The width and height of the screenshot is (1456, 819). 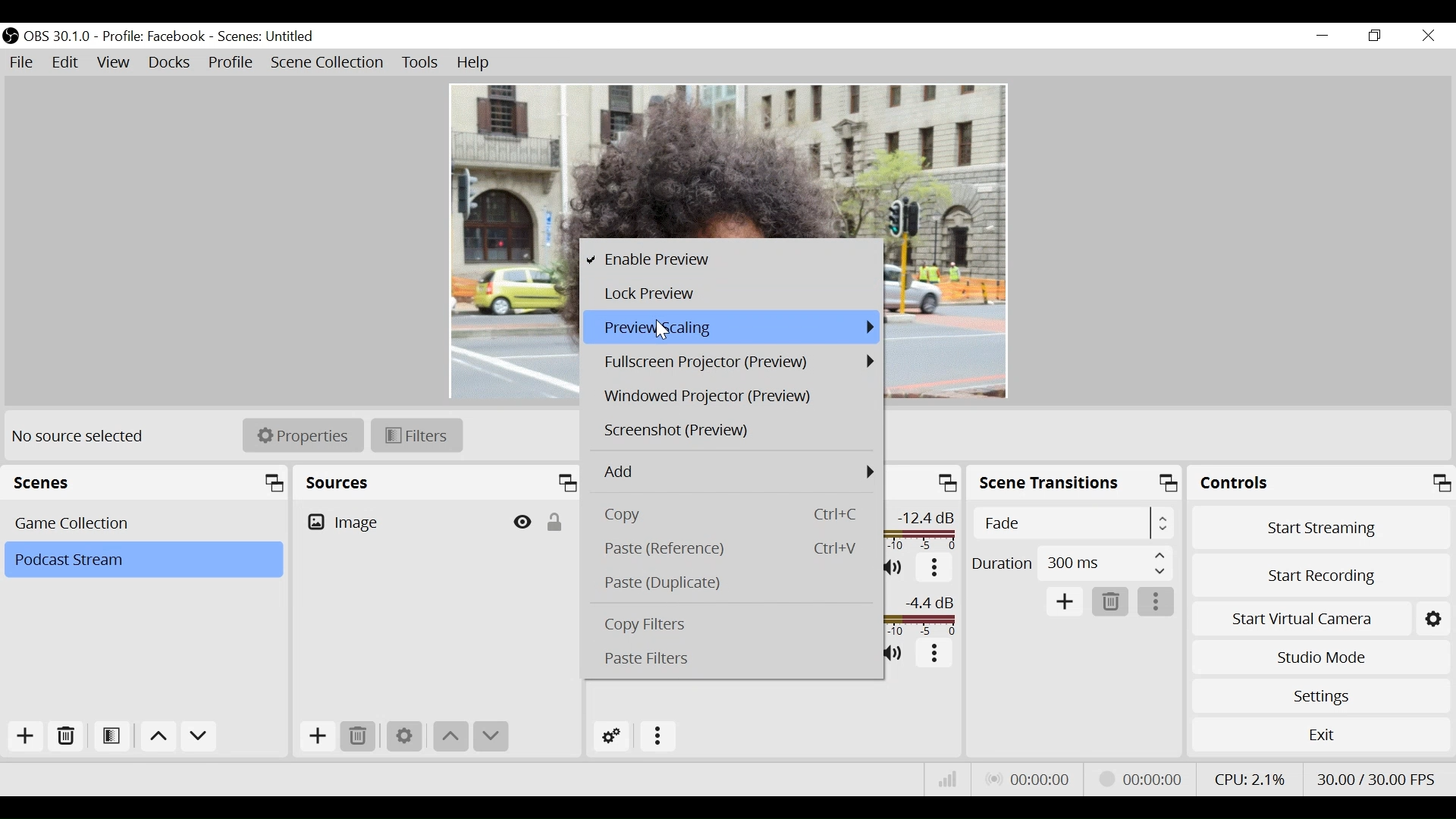 I want to click on Remove, so click(x=1112, y=602).